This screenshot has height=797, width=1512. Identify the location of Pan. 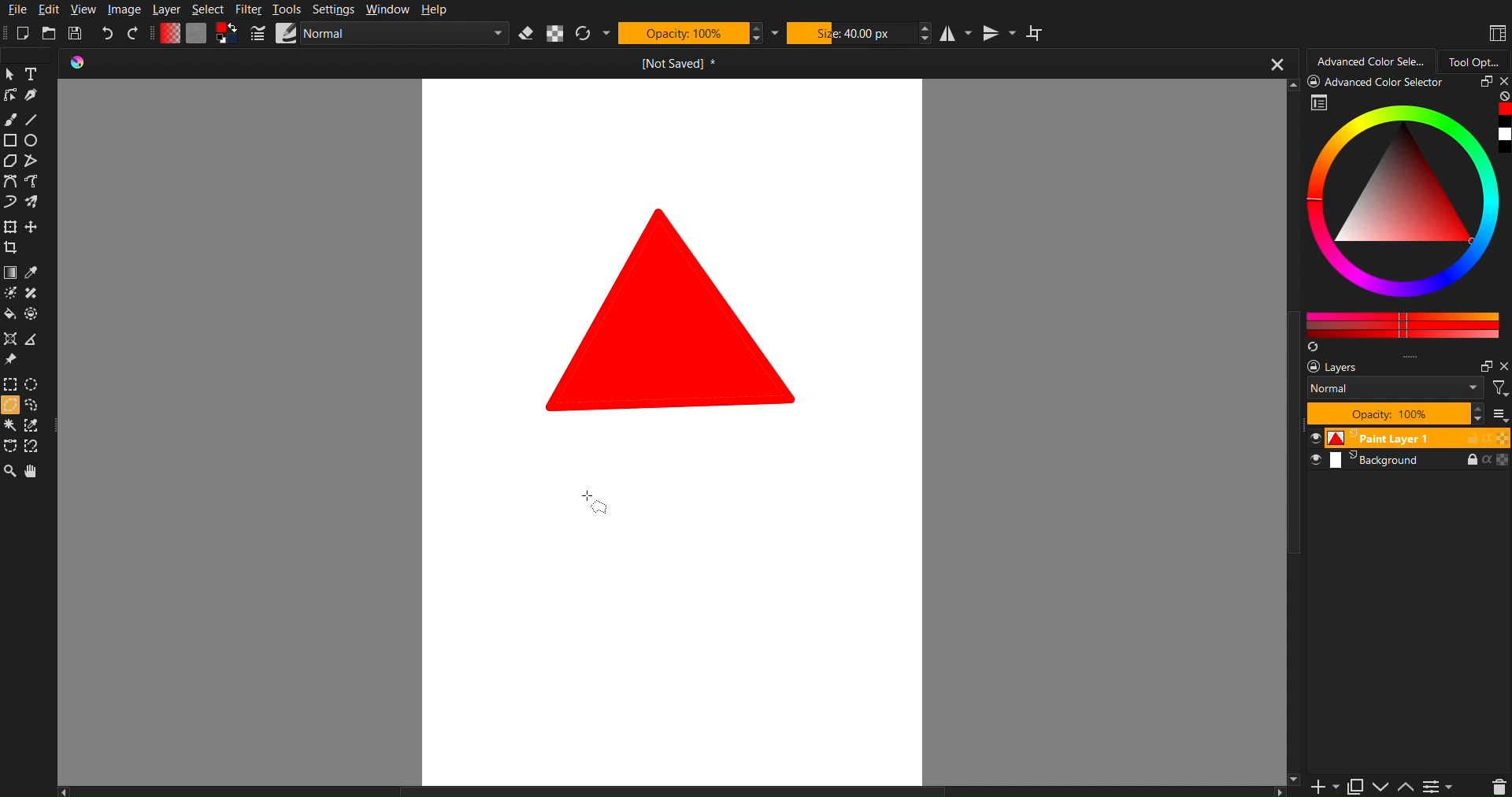
(36, 472).